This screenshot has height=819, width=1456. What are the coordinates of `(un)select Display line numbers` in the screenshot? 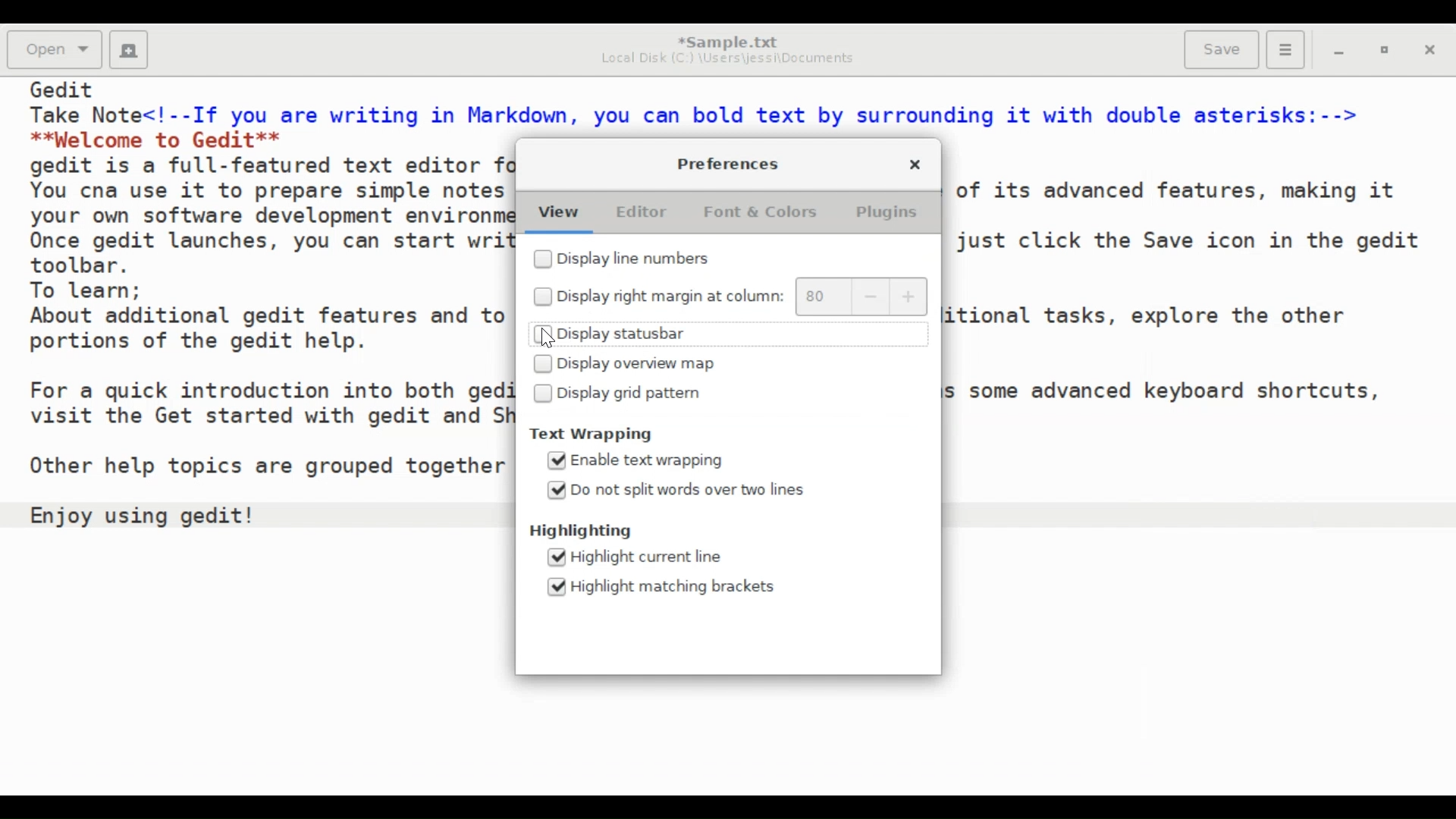 It's located at (631, 259).